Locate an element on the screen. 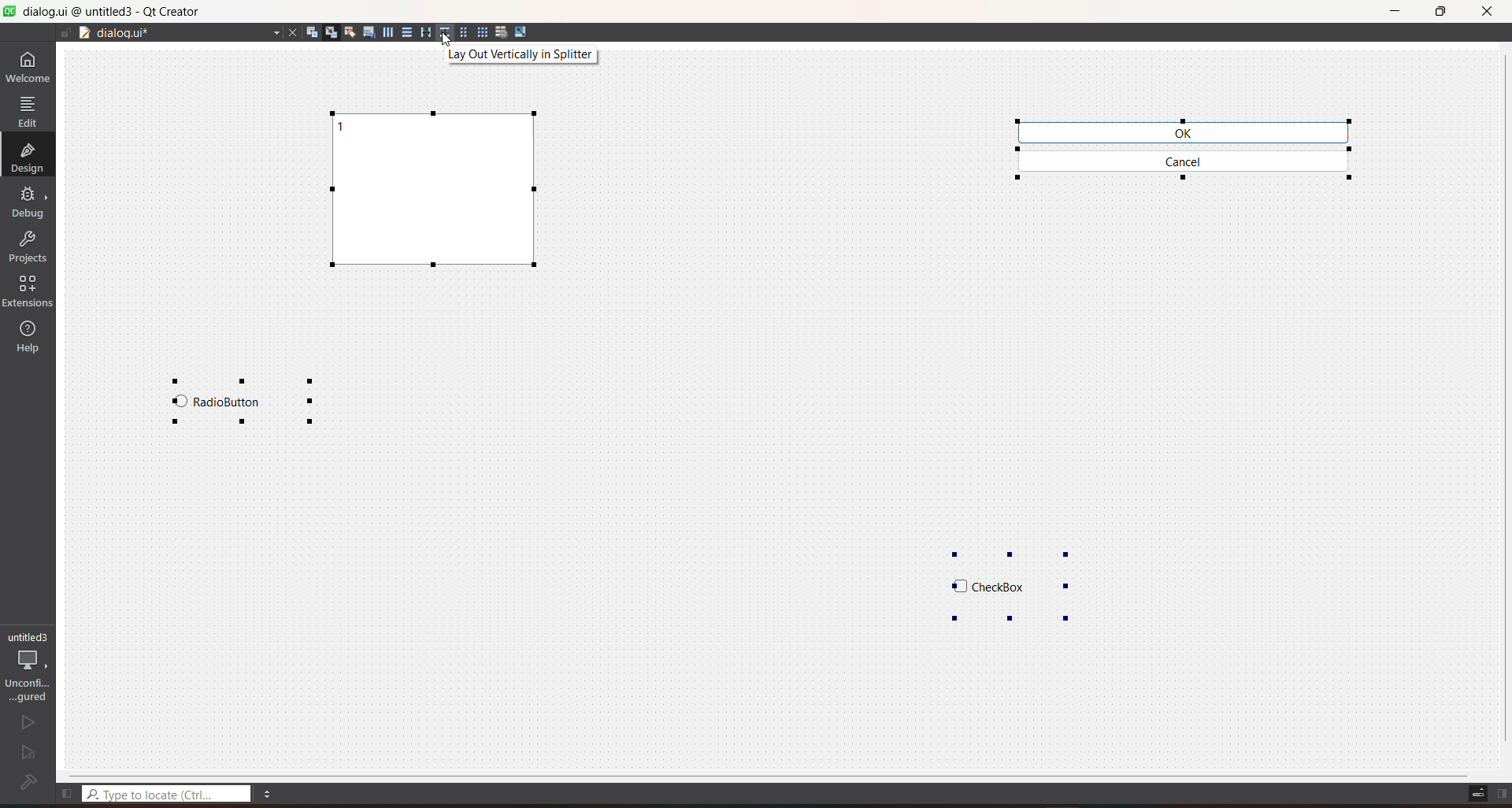  document split is located at coordinates (83, 33).